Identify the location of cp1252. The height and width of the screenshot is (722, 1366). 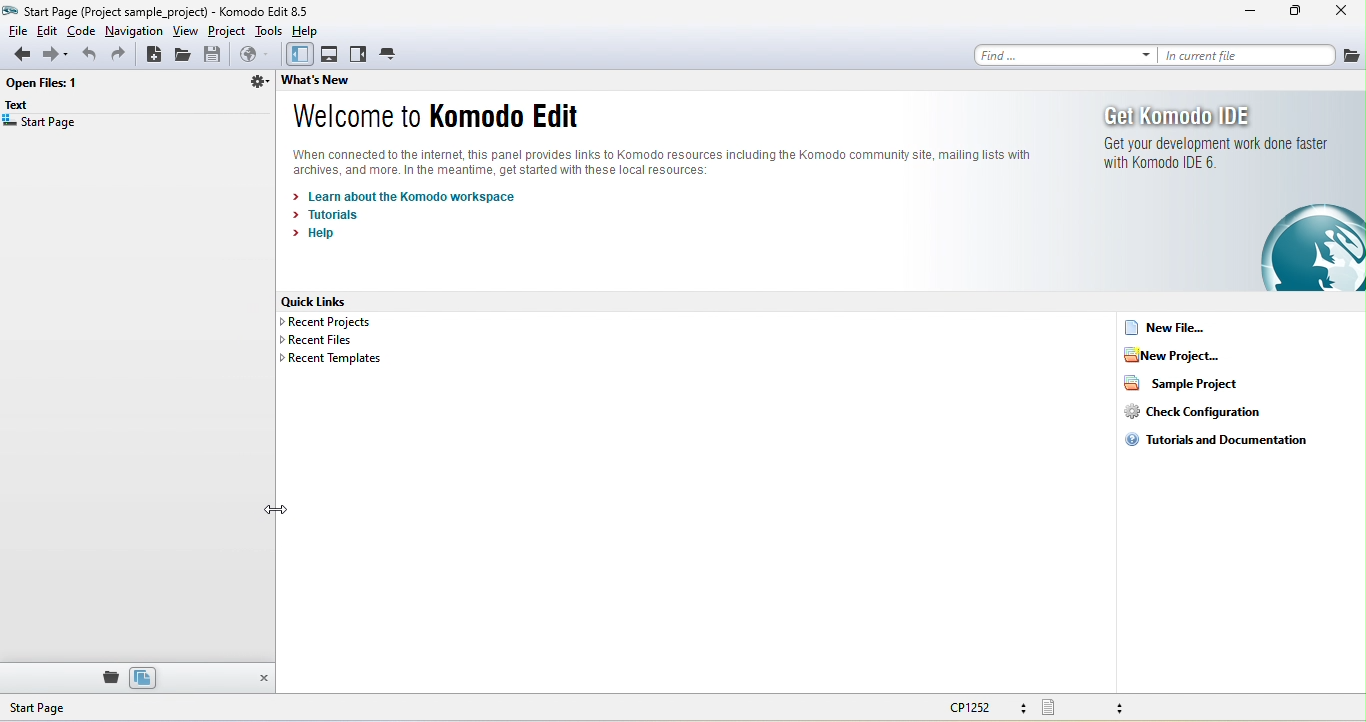
(991, 709).